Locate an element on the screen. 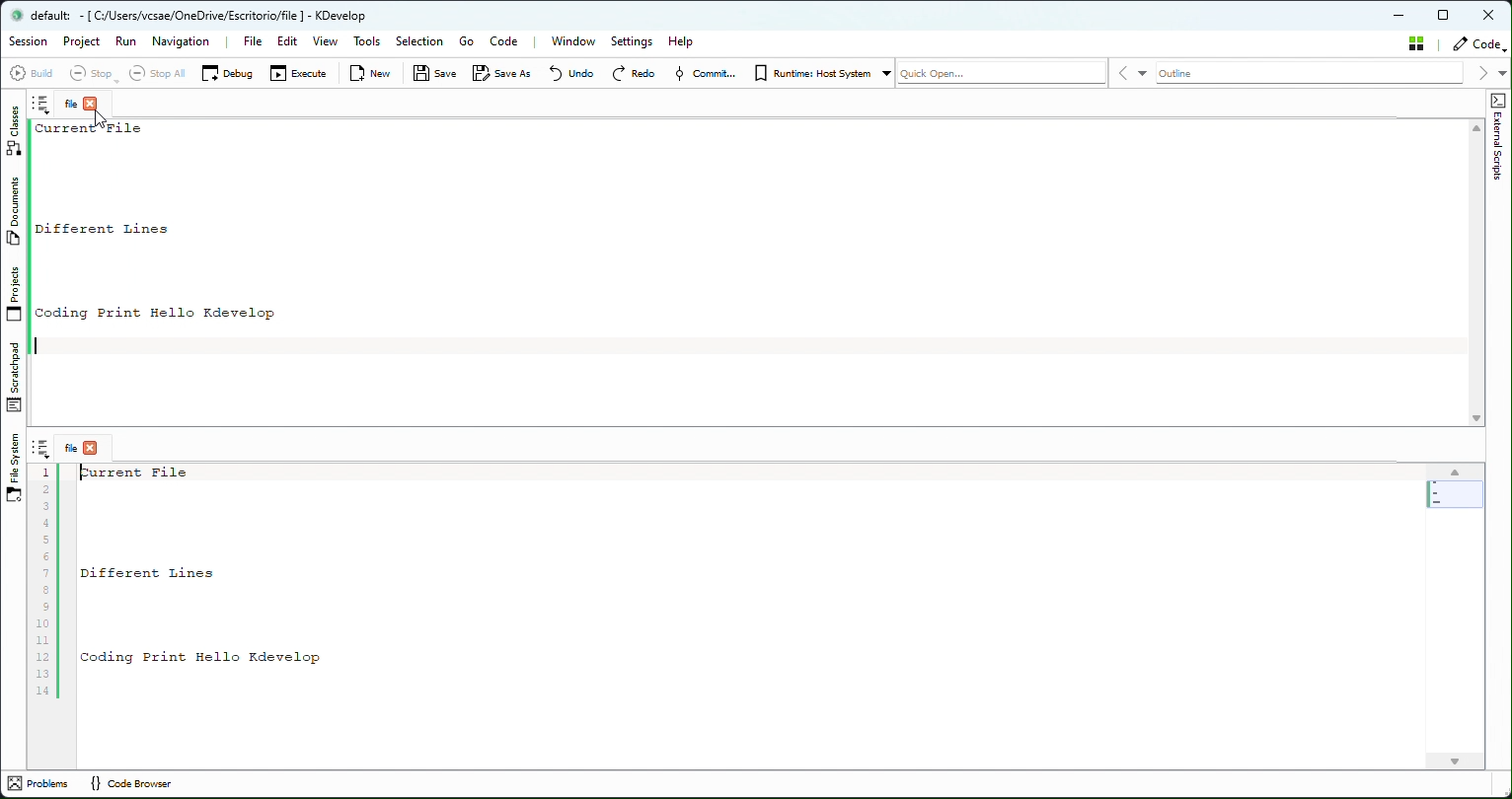  Stachpad is located at coordinates (14, 380).